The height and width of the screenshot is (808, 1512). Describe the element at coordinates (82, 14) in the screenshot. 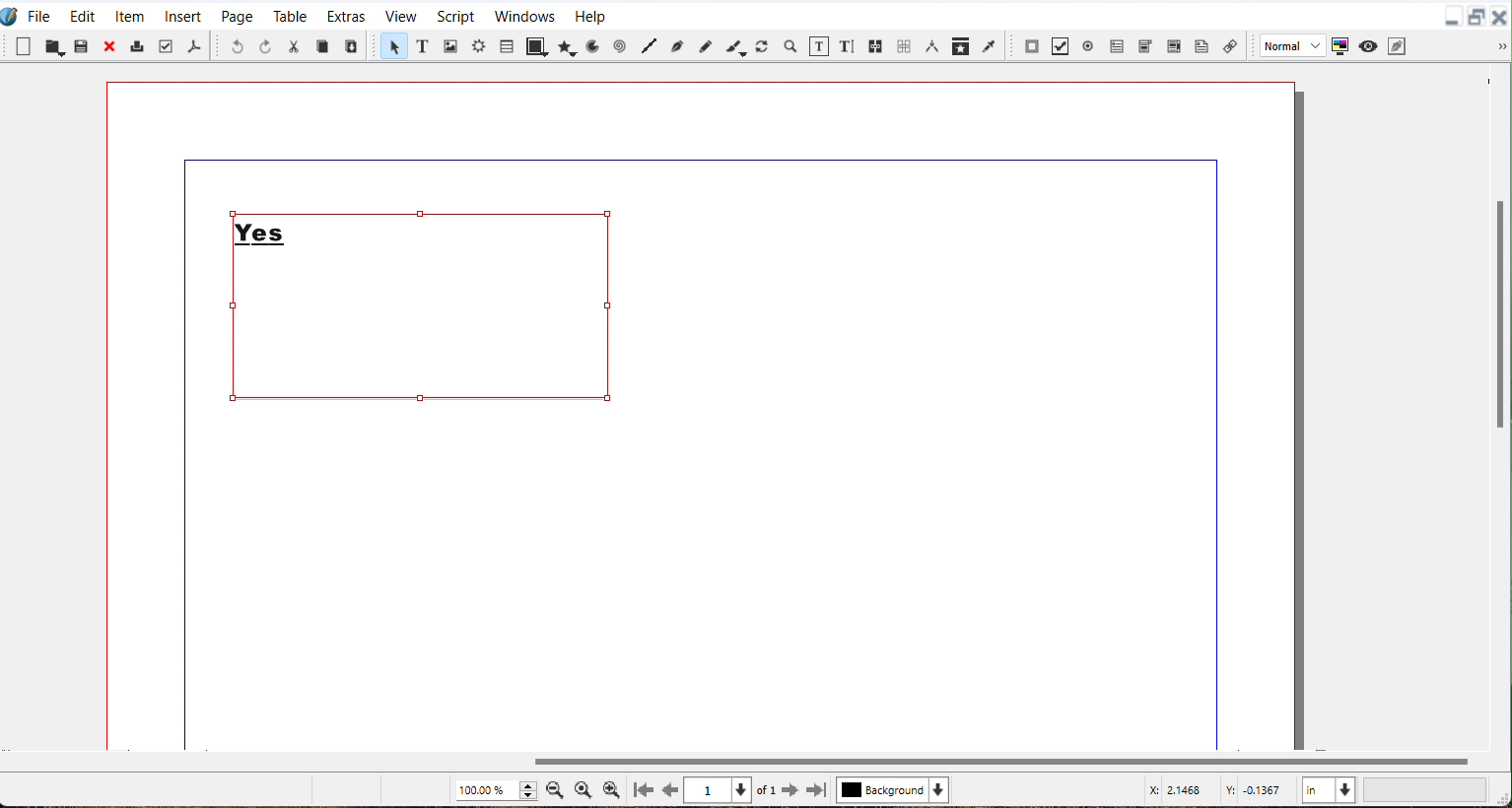

I see `Edit` at that location.